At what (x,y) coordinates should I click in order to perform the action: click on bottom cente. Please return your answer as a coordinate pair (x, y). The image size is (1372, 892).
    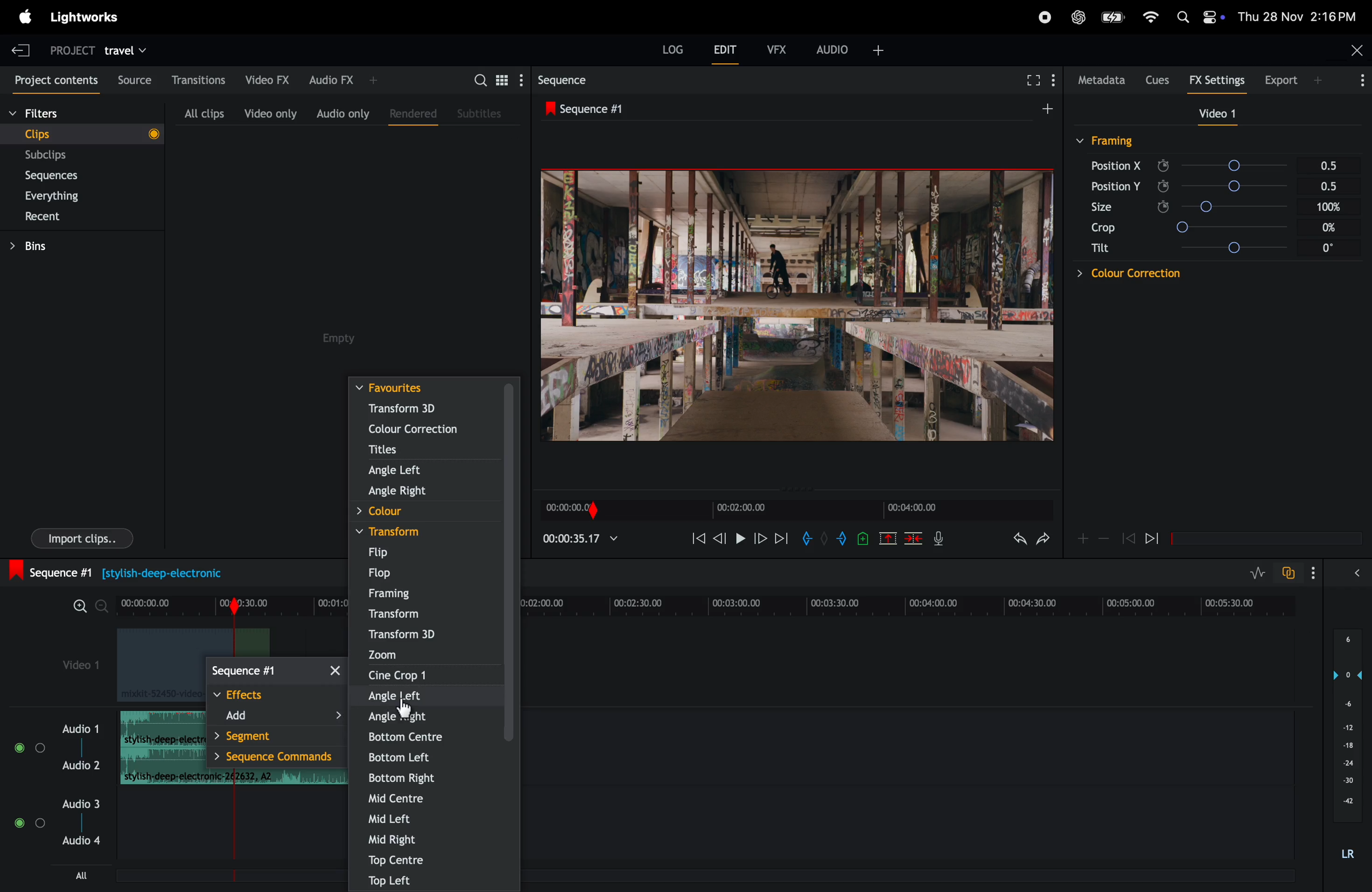
    Looking at the image, I should click on (434, 739).